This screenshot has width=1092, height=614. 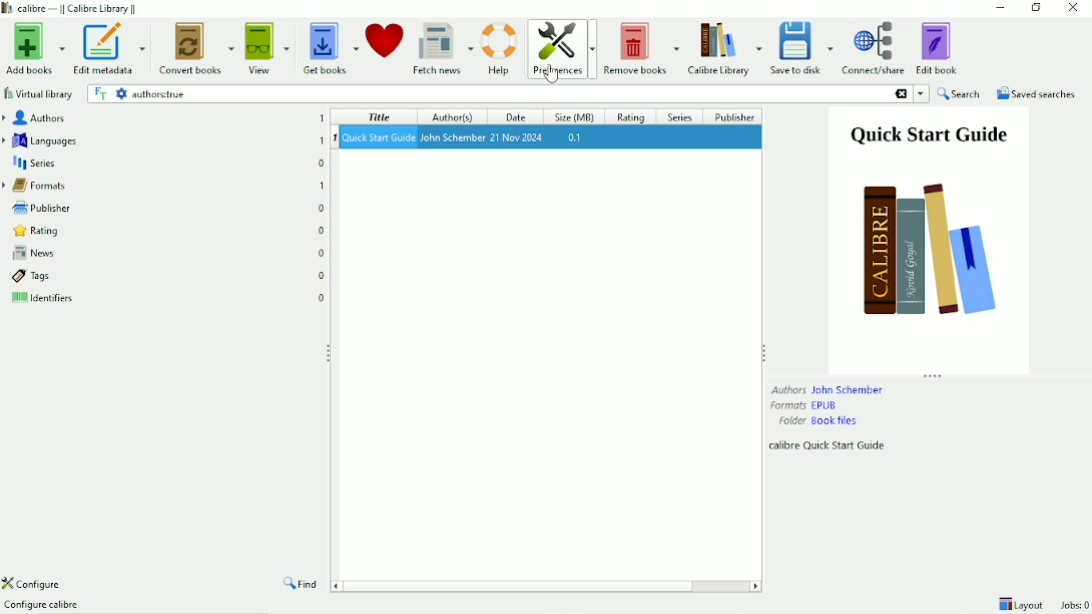 I want to click on Close, so click(x=1074, y=8).